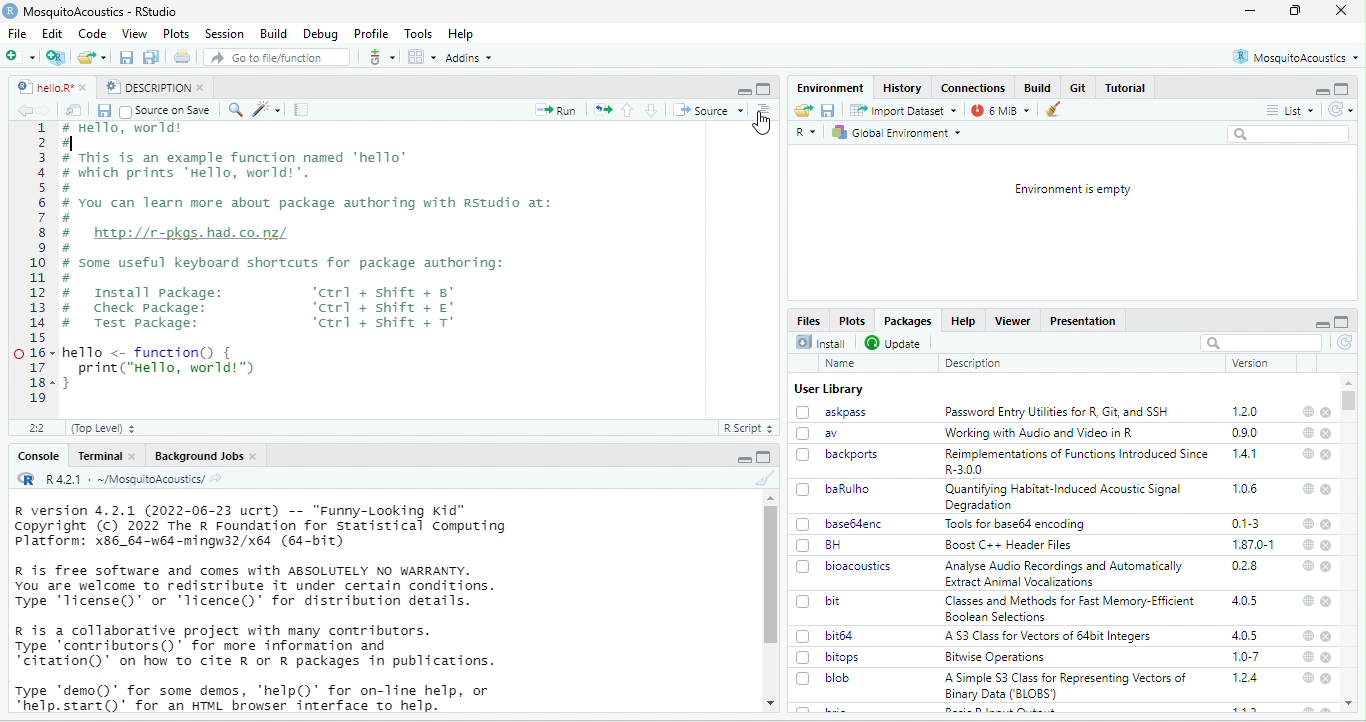 The image size is (1366, 722). I want to click on help, so click(1309, 411).